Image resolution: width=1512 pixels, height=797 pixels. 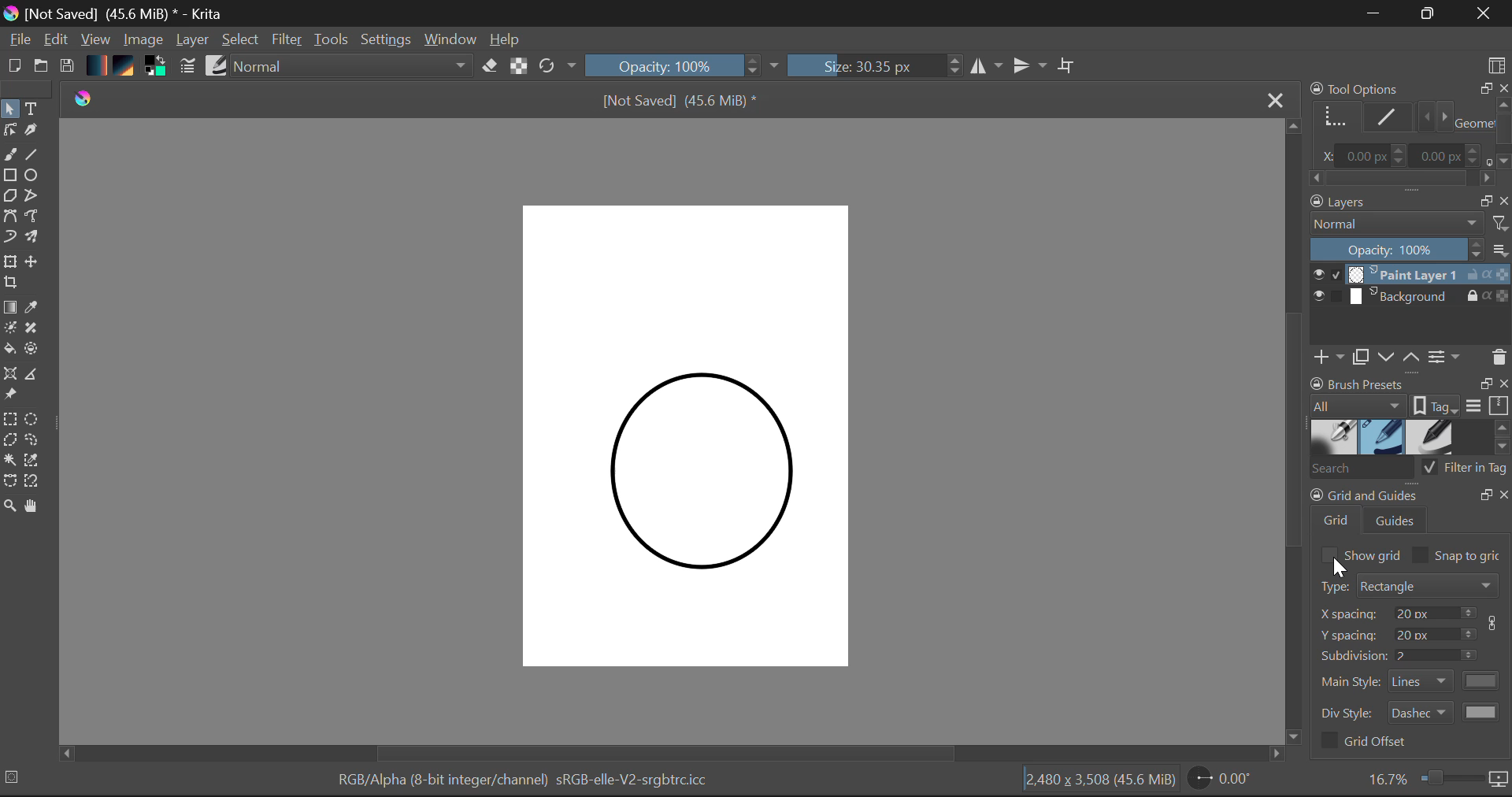 What do you see at coordinates (37, 375) in the screenshot?
I see `Measurements` at bounding box center [37, 375].